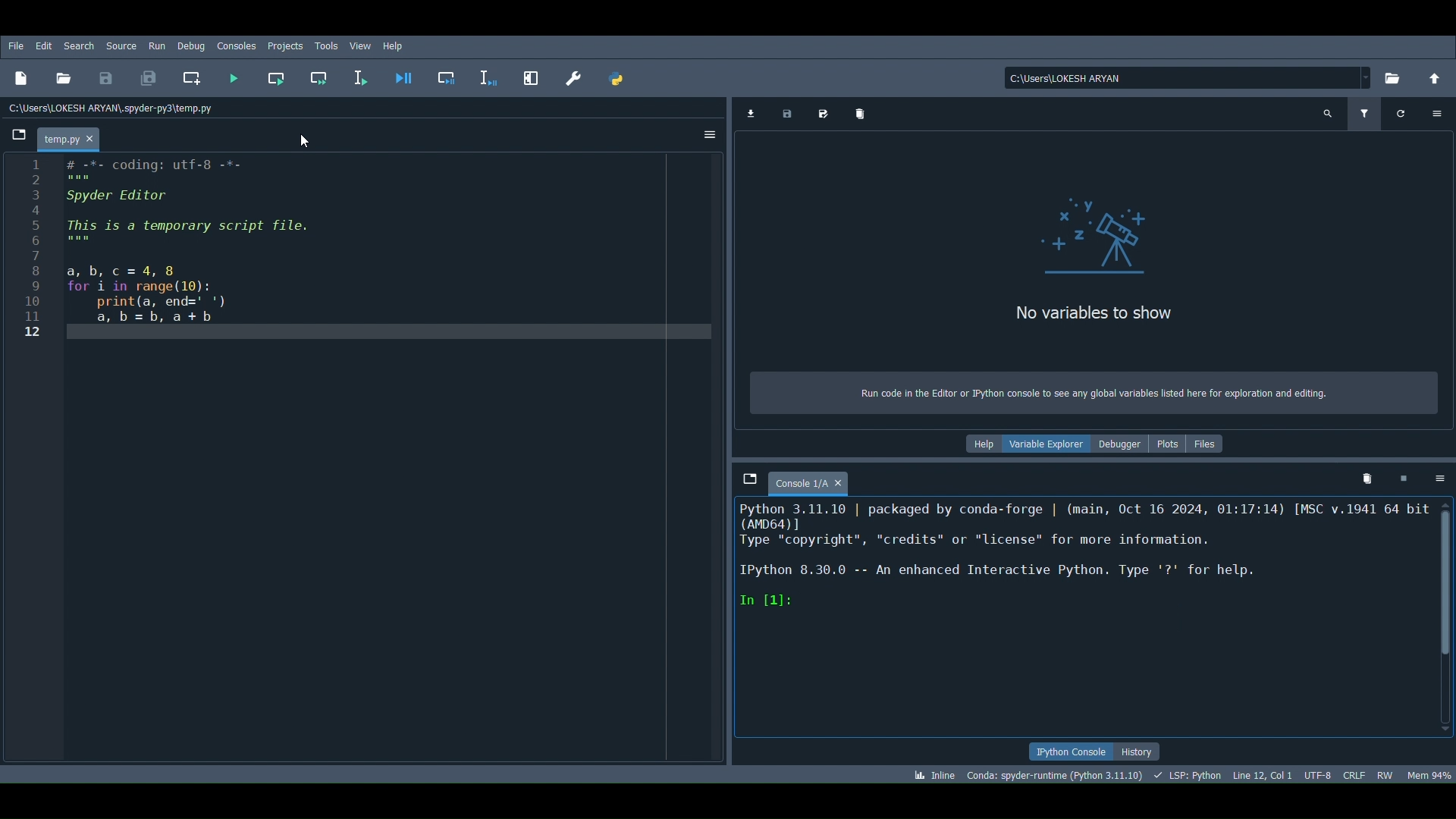 The width and height of the screenshot is (1456, 819). I want to click on Save all (Ctrl + Alt + S), so click(153, 76).